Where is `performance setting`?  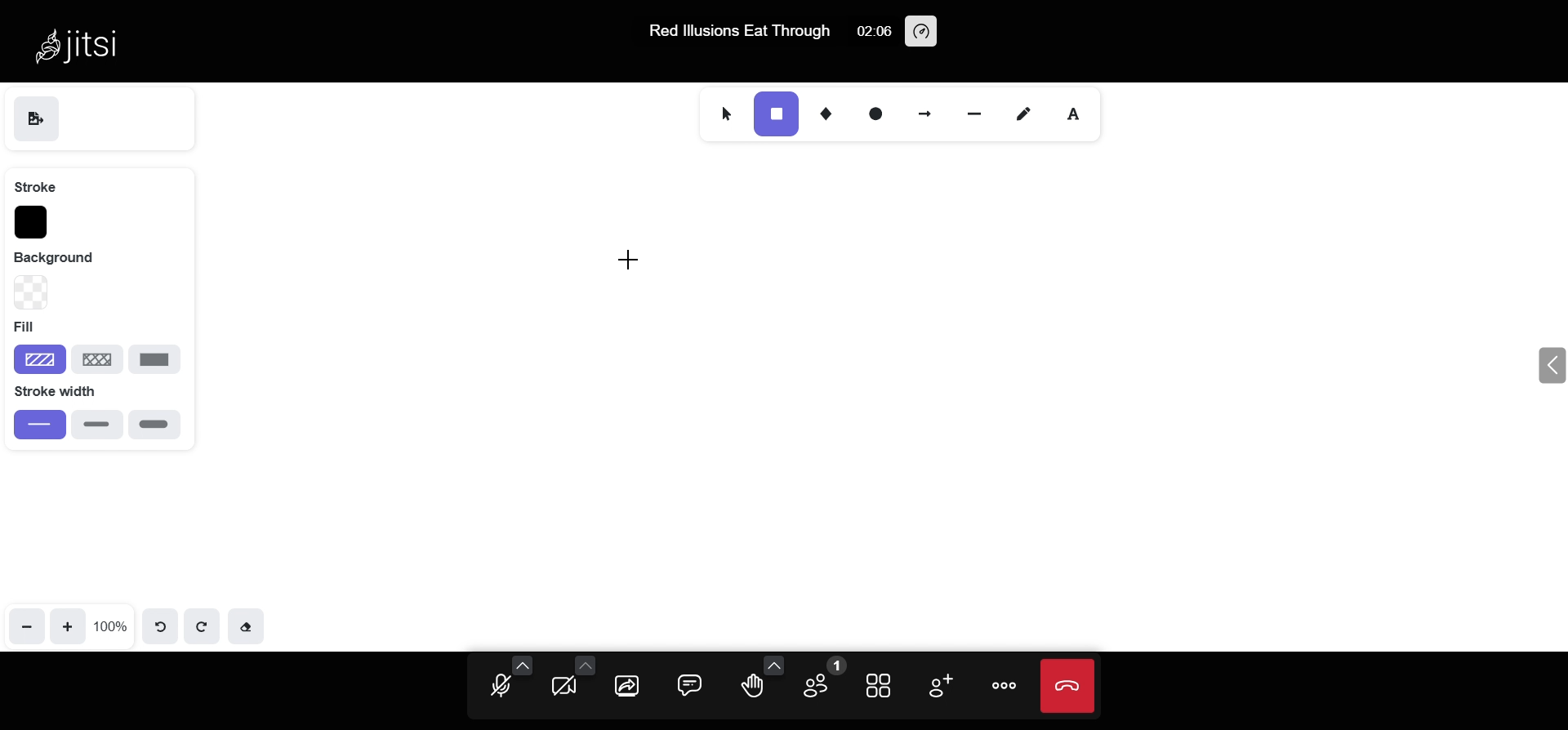
performance setting is located at coordinates (922, 31).